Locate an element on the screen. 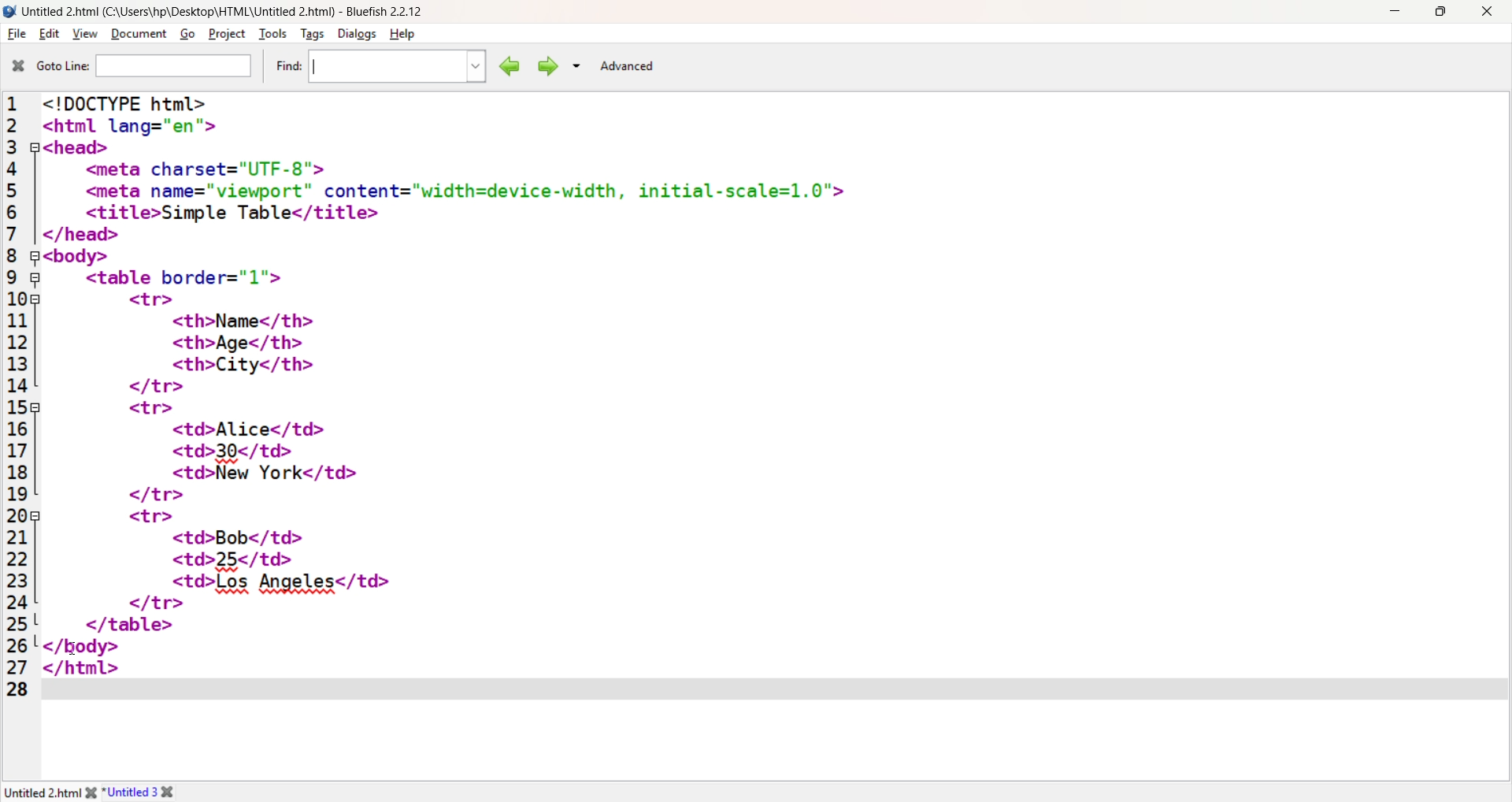 The width and height of the screenshot is (1512, 802). Tools is located at coordinates (272, 34).